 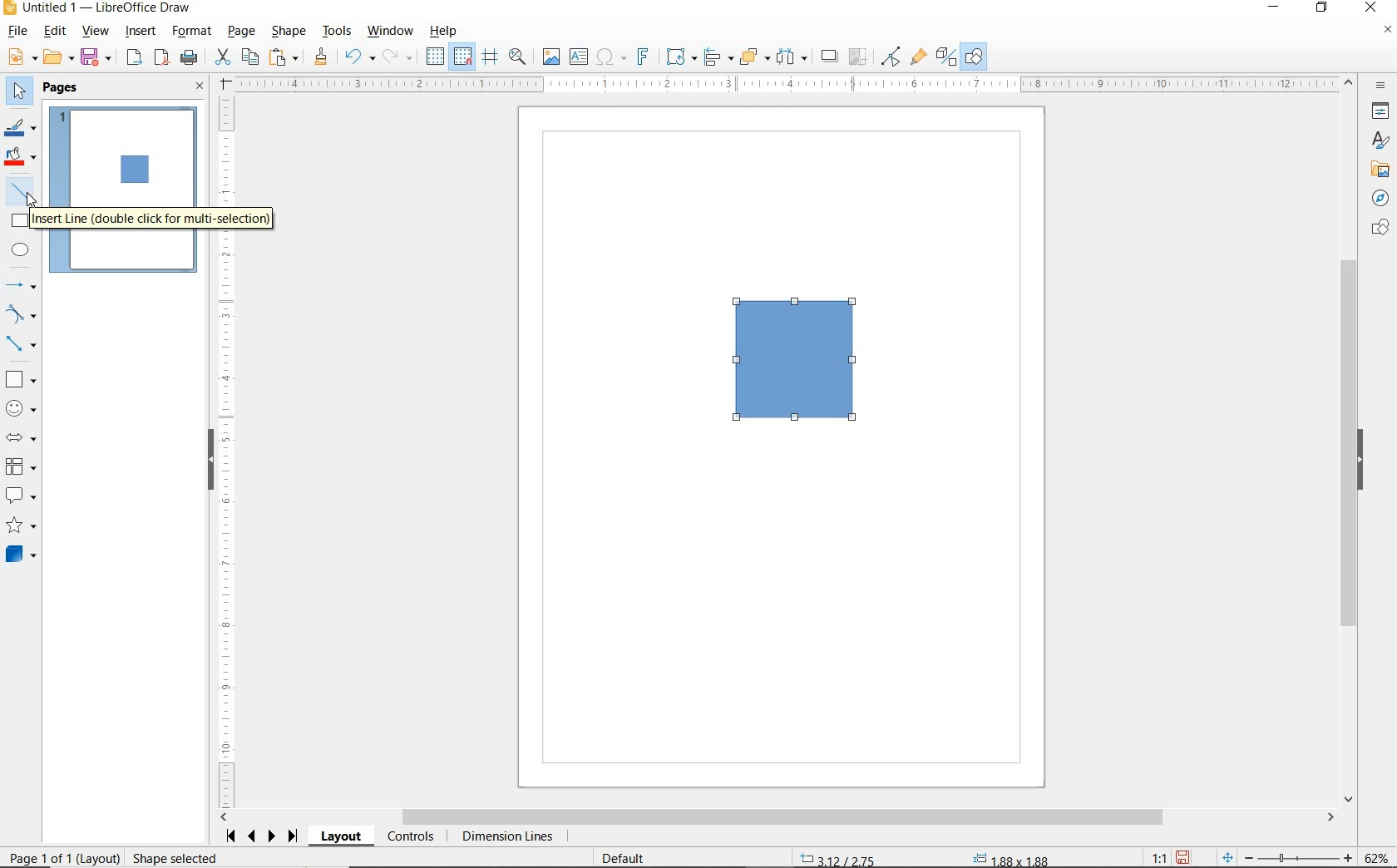 What do you see at coordinates (437, 57) in the screenshot?
I see `DISPLAY GRID` at bounding box center [437, 57].